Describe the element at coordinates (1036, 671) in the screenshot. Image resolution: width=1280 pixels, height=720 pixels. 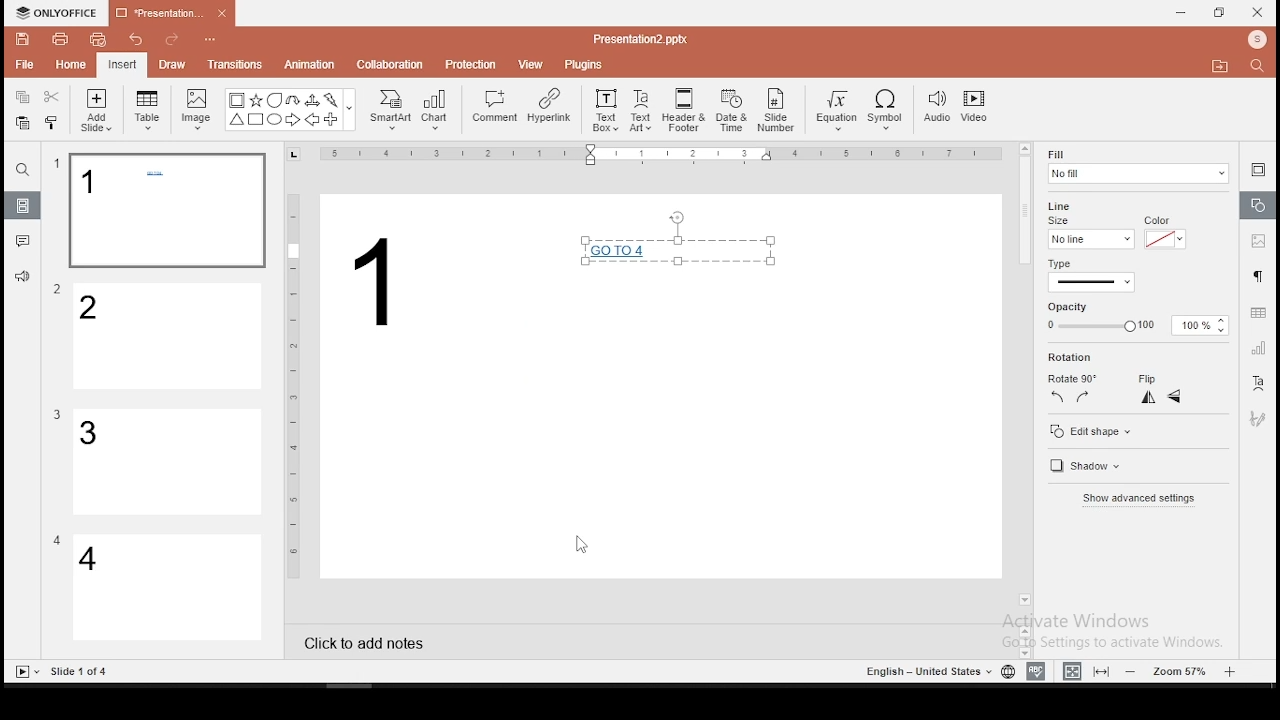
I see `spell check` at that location.